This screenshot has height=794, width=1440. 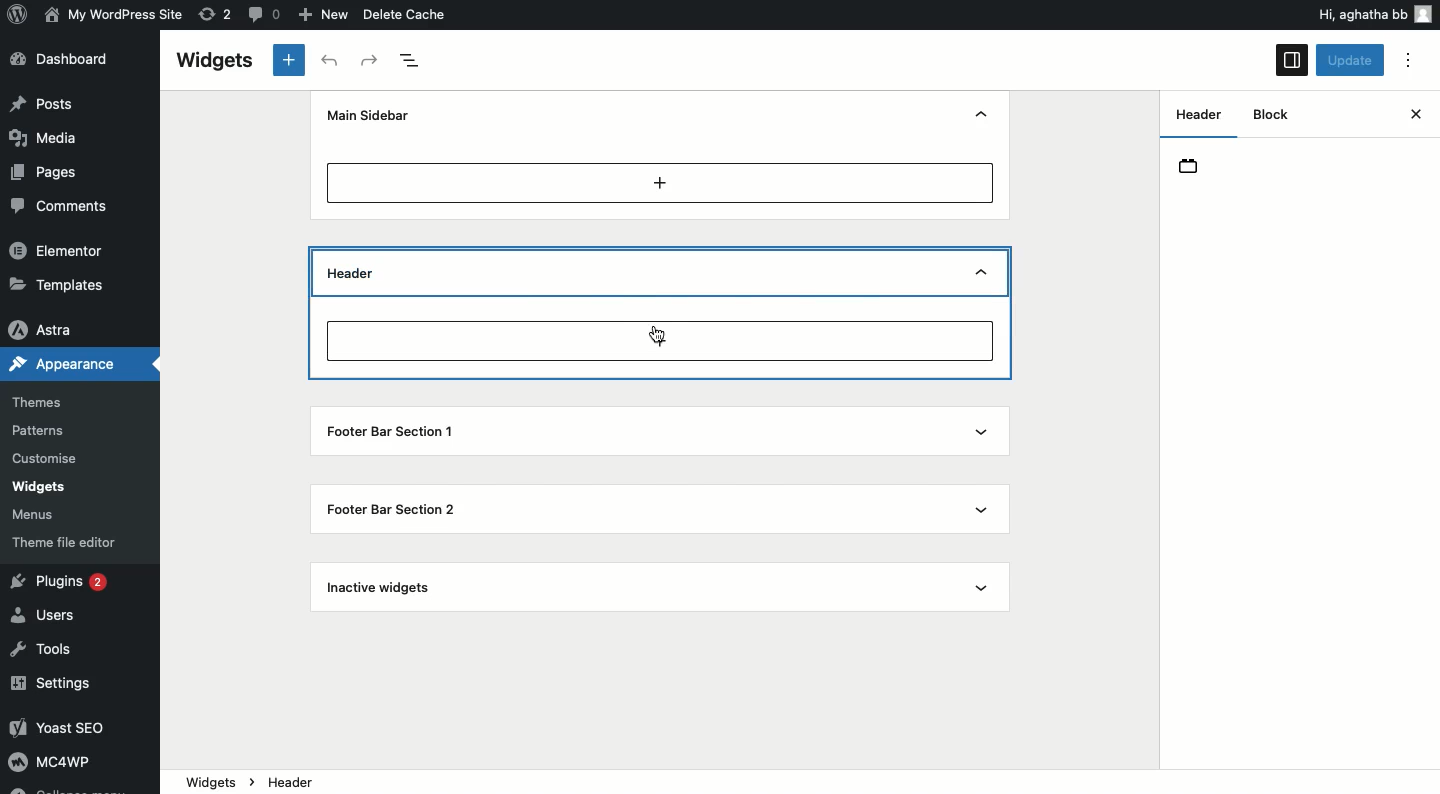 What do you see at coordinates (38, 487) in the screenshot?
I see `Widgets` at bounding box center [38, 487].